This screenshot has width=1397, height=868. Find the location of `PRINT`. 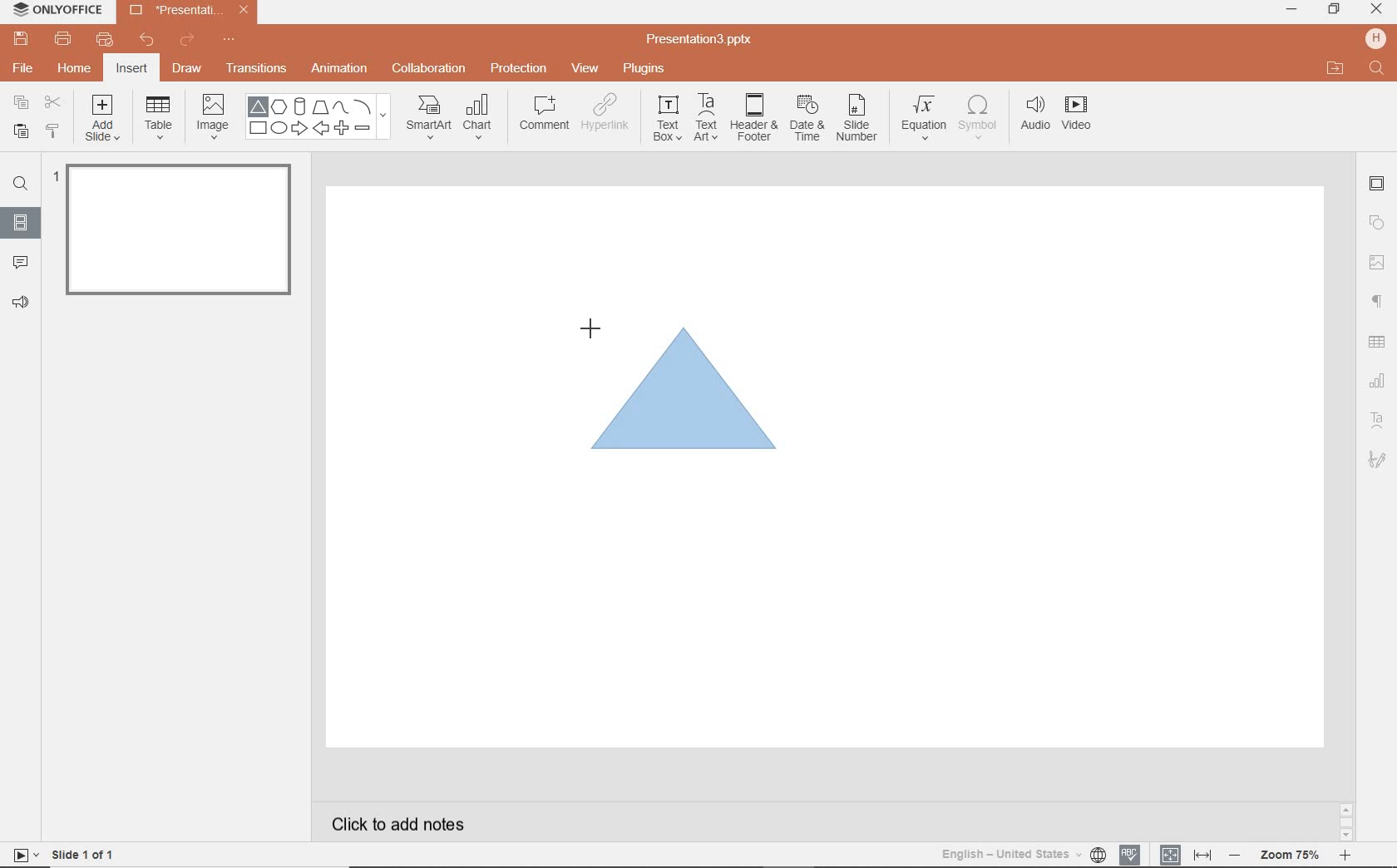

PRINT is located at coordinates (62, 40).